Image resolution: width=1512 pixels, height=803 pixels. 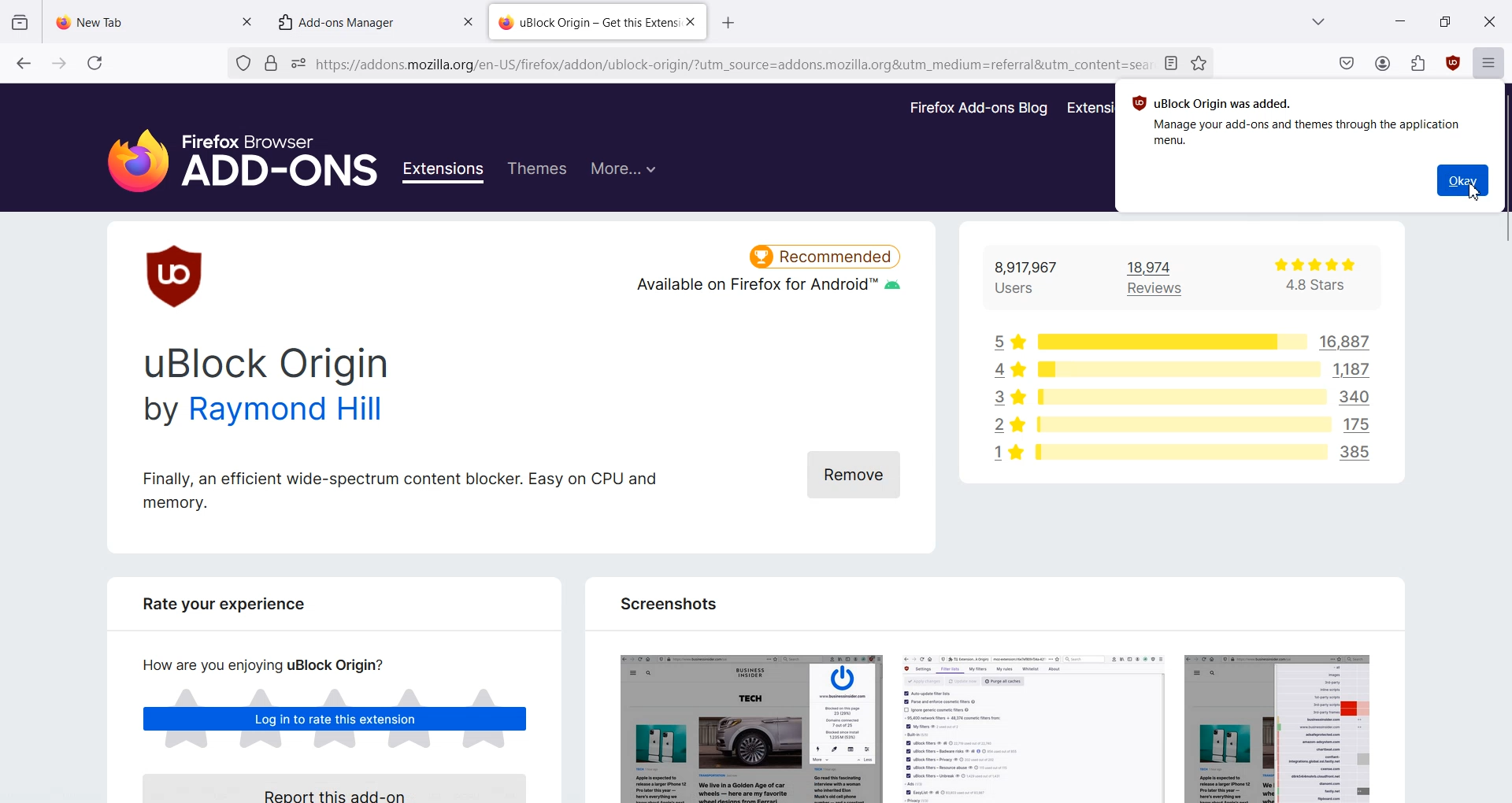 What do you see at coordinates (1171, 63) in the screenshot?
I see `Toggle reader view` at bounding box center [1171, 63].